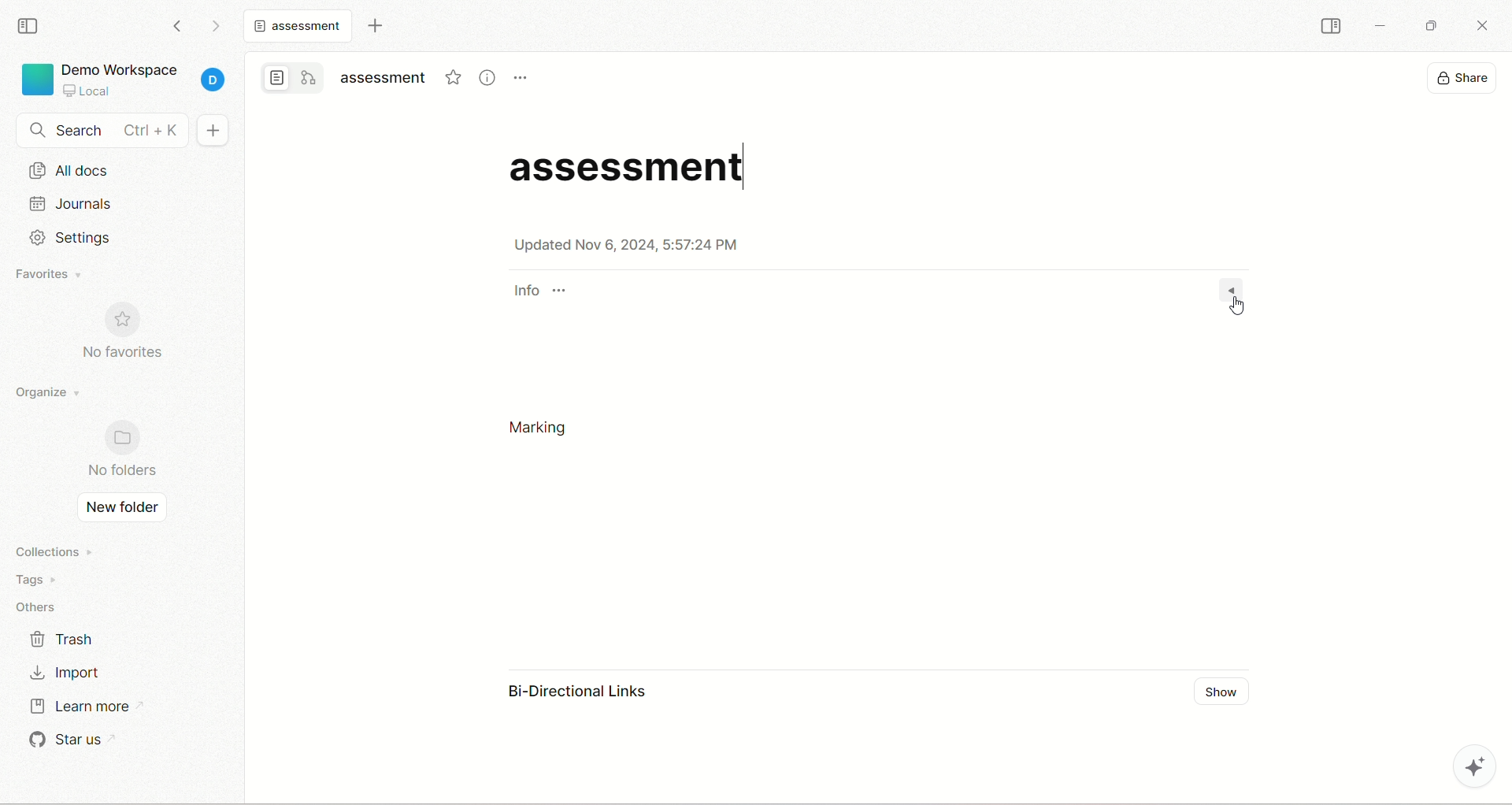 The image size is (1512, 805). Describe the element at coordinates (69, 670) in the screenshot. I see `import` at that location.